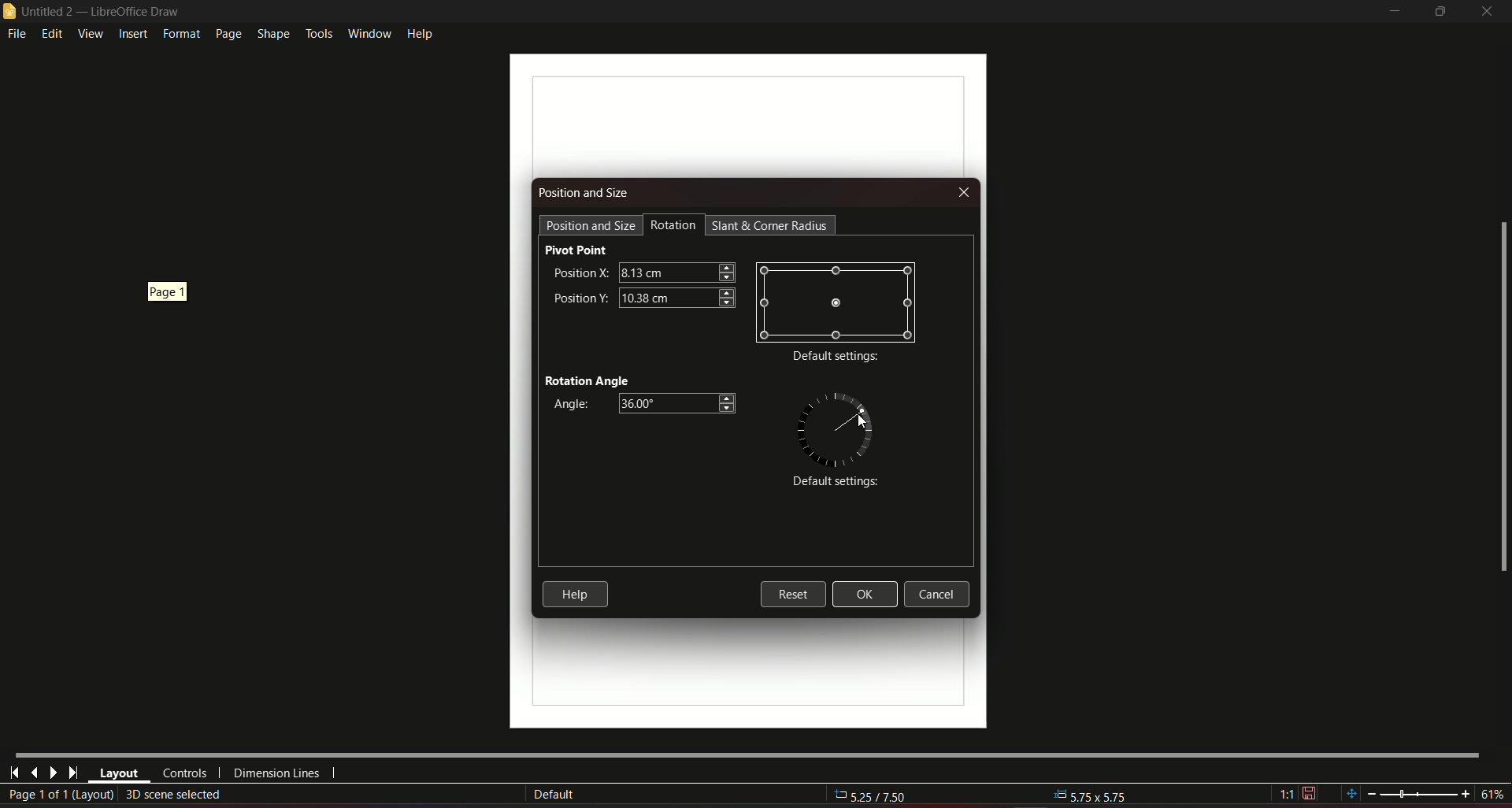 This screenshot has width=1512, height=808. What do you see at coordinates (579, 272) in the screenshot?
I see `Position X` at bounding box center [579, 272].